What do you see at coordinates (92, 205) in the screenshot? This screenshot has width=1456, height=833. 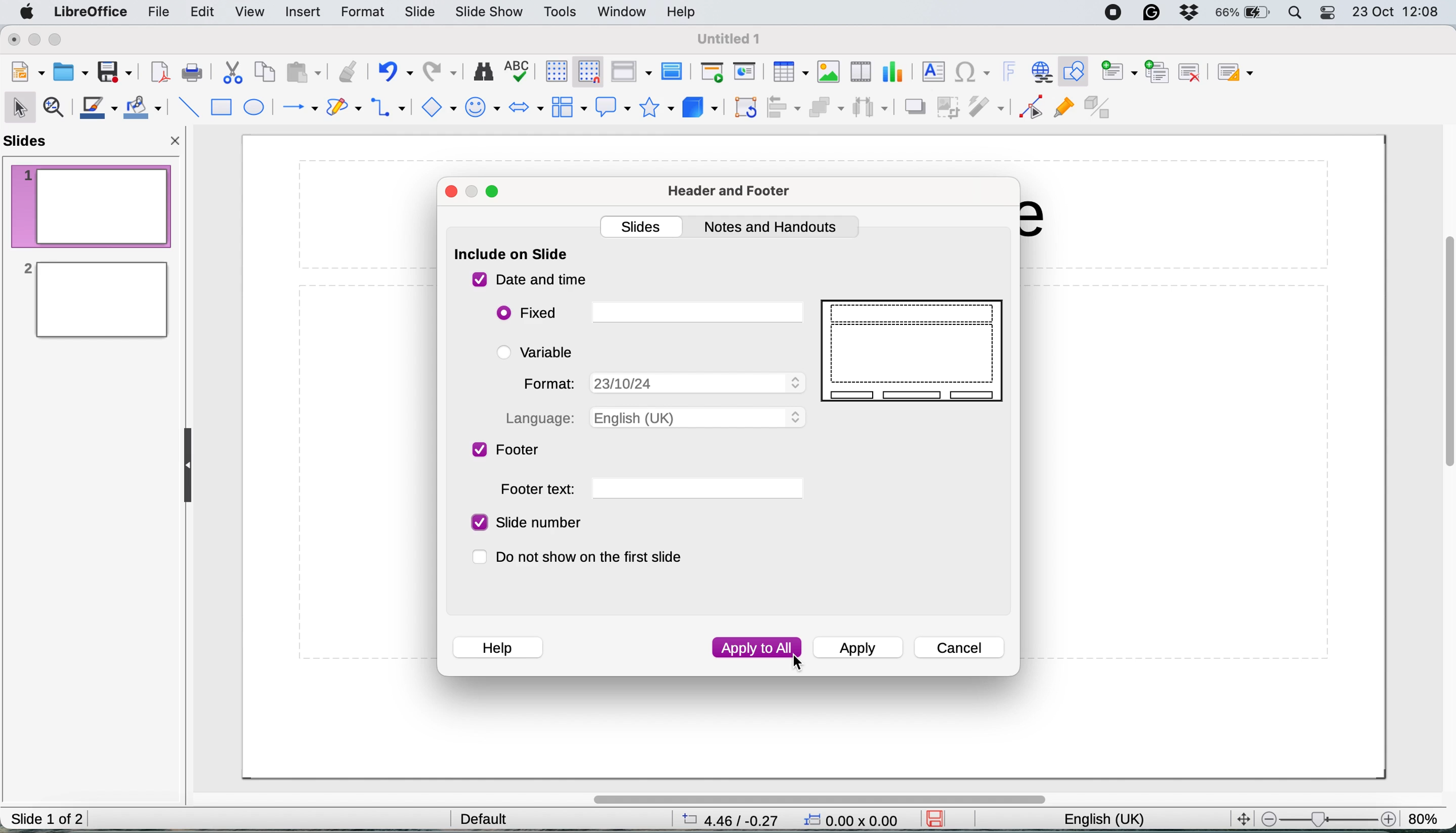 I see `slide 1` at bounding box center [92, 205].